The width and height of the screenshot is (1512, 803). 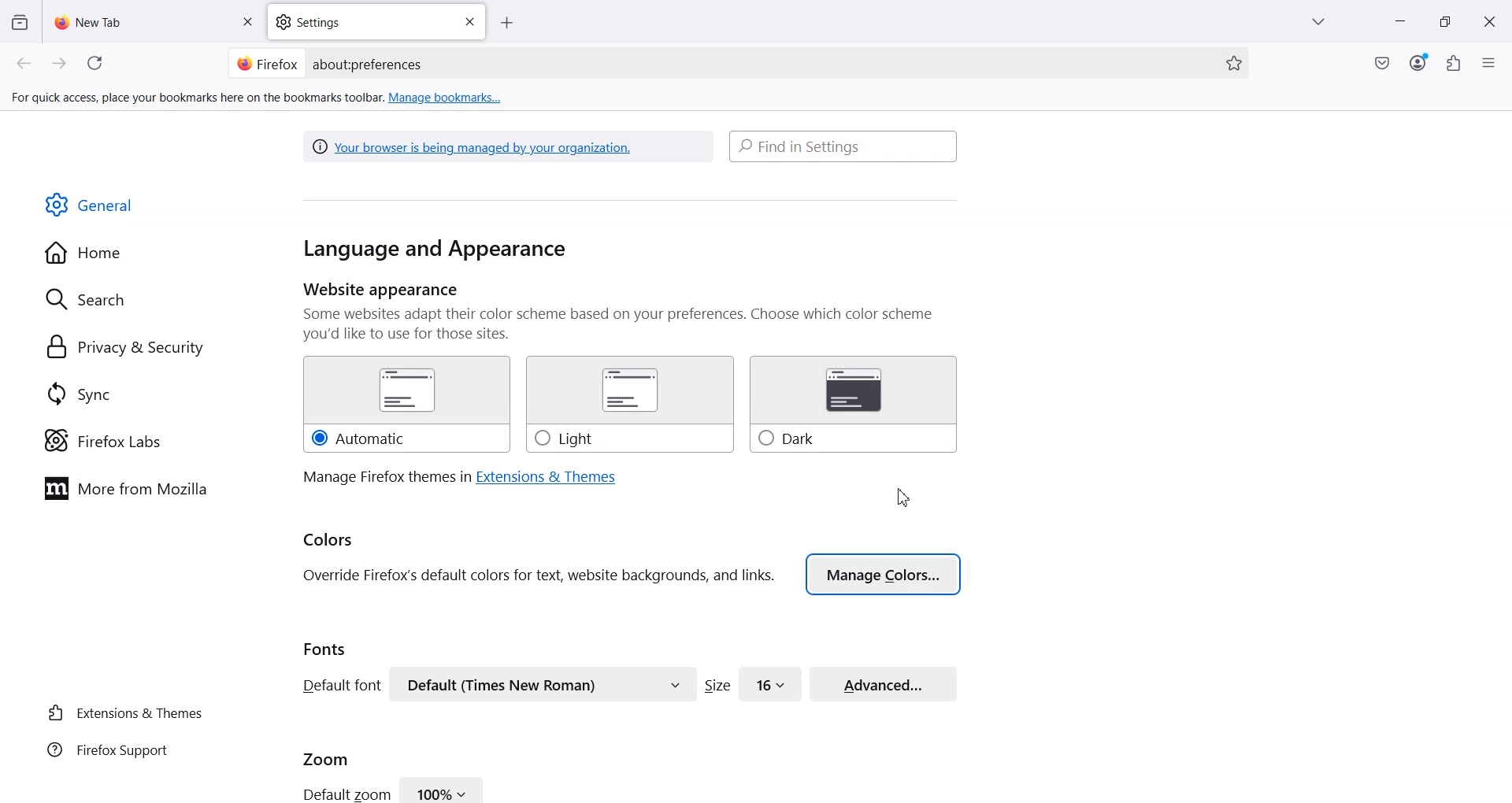 I want to click on about:prefernces, so click(x=369, y=65).